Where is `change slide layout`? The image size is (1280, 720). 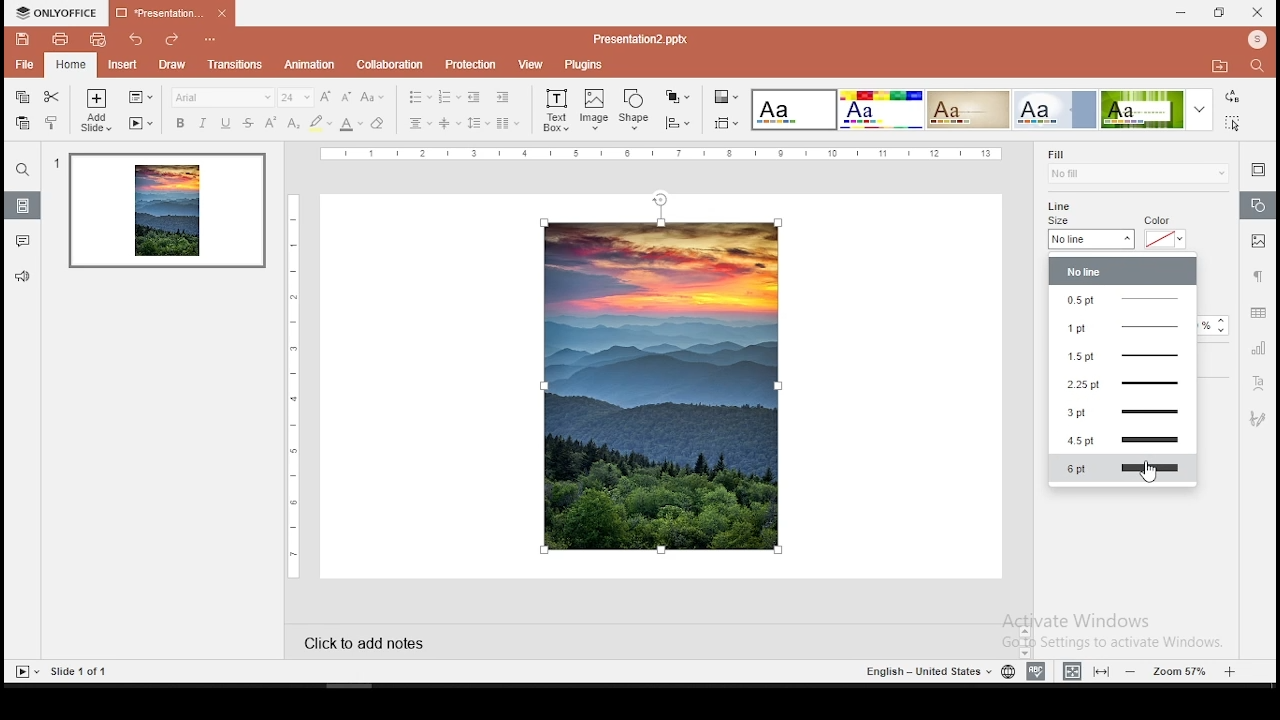 change slide layout is located at coordinates (139, 97).